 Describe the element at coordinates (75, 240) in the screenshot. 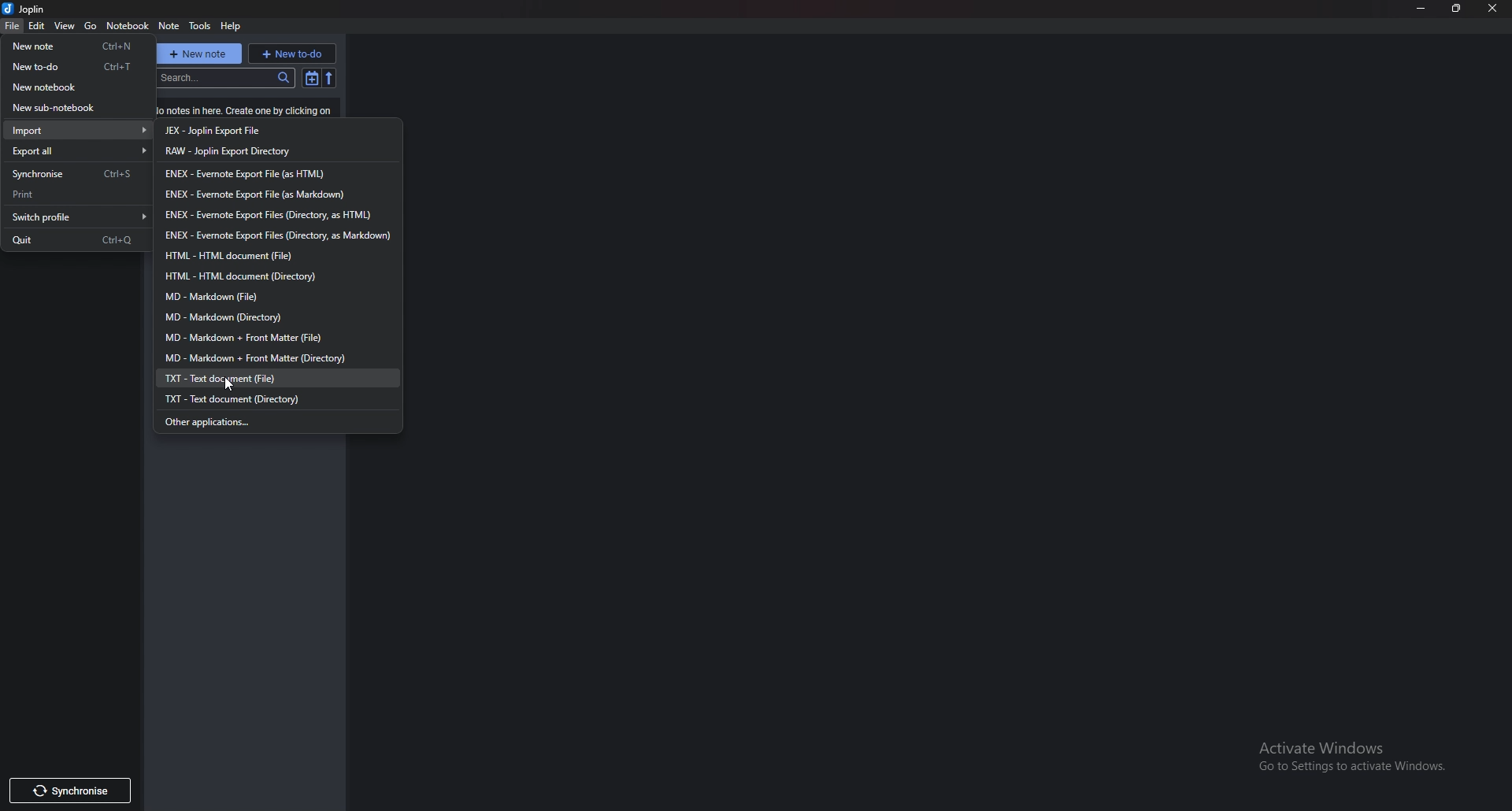

I see `quit` at that location.